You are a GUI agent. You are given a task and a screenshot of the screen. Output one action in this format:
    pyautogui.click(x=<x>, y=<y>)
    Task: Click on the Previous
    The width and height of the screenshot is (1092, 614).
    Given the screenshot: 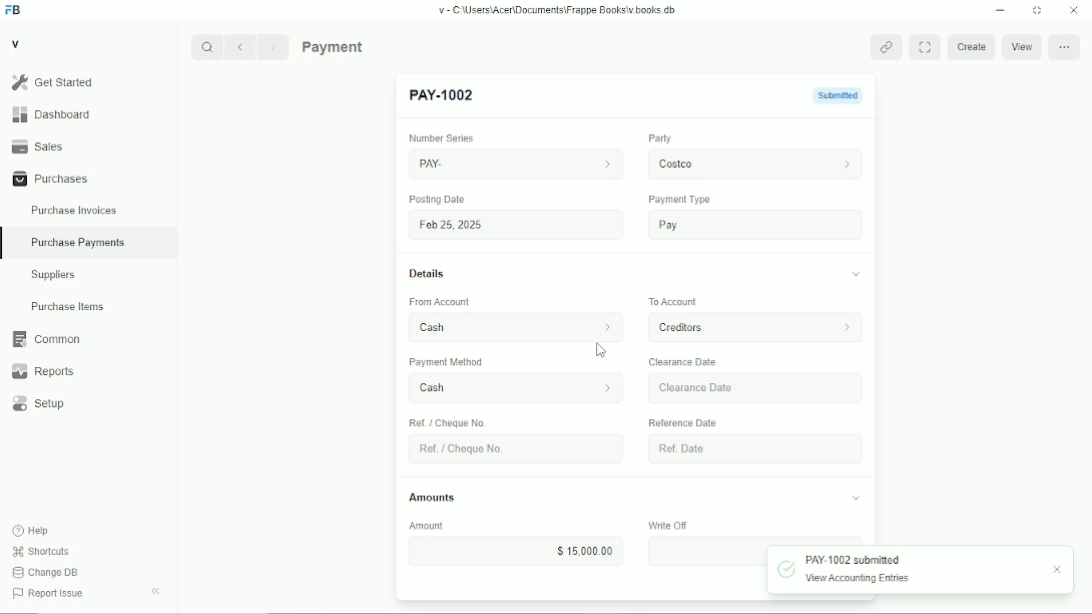 What is the action you would take?
    pyautogui.click(x=240, y=47)
    